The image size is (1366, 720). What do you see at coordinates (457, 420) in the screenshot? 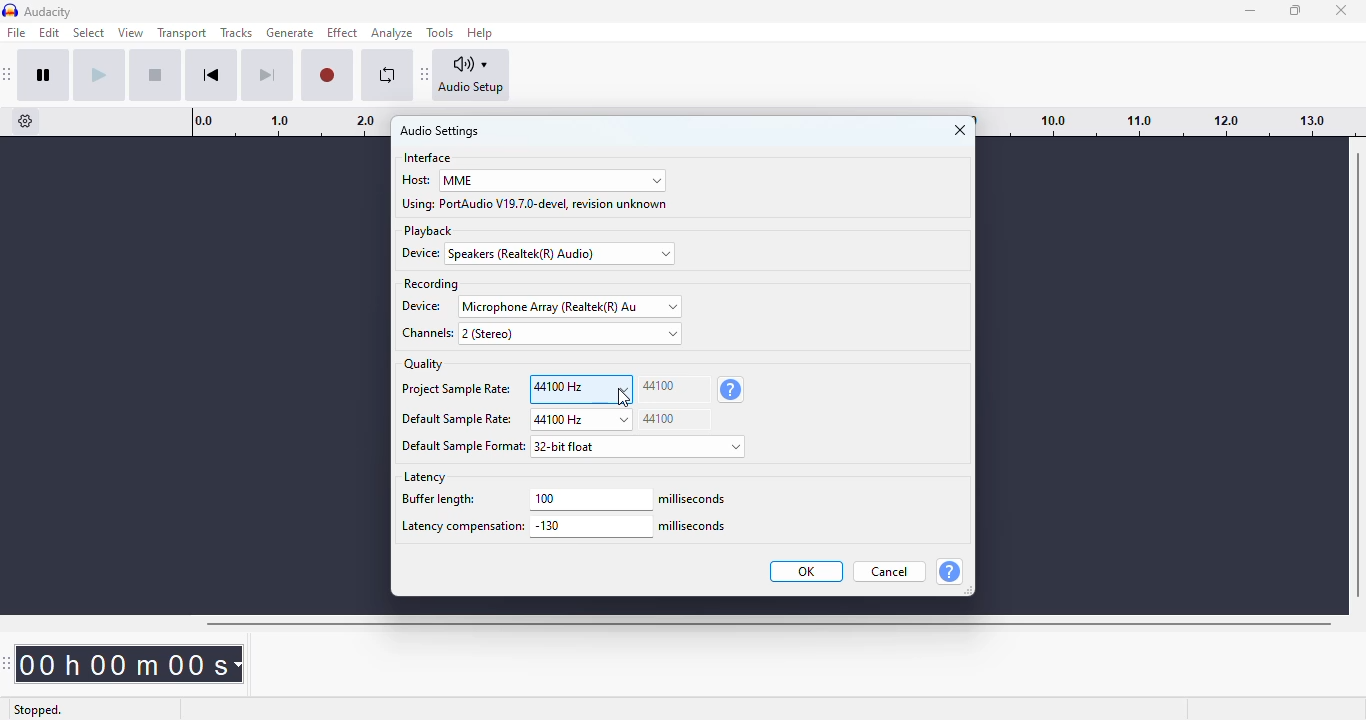
I see `default sample rate` at bounding box center [457, 420].